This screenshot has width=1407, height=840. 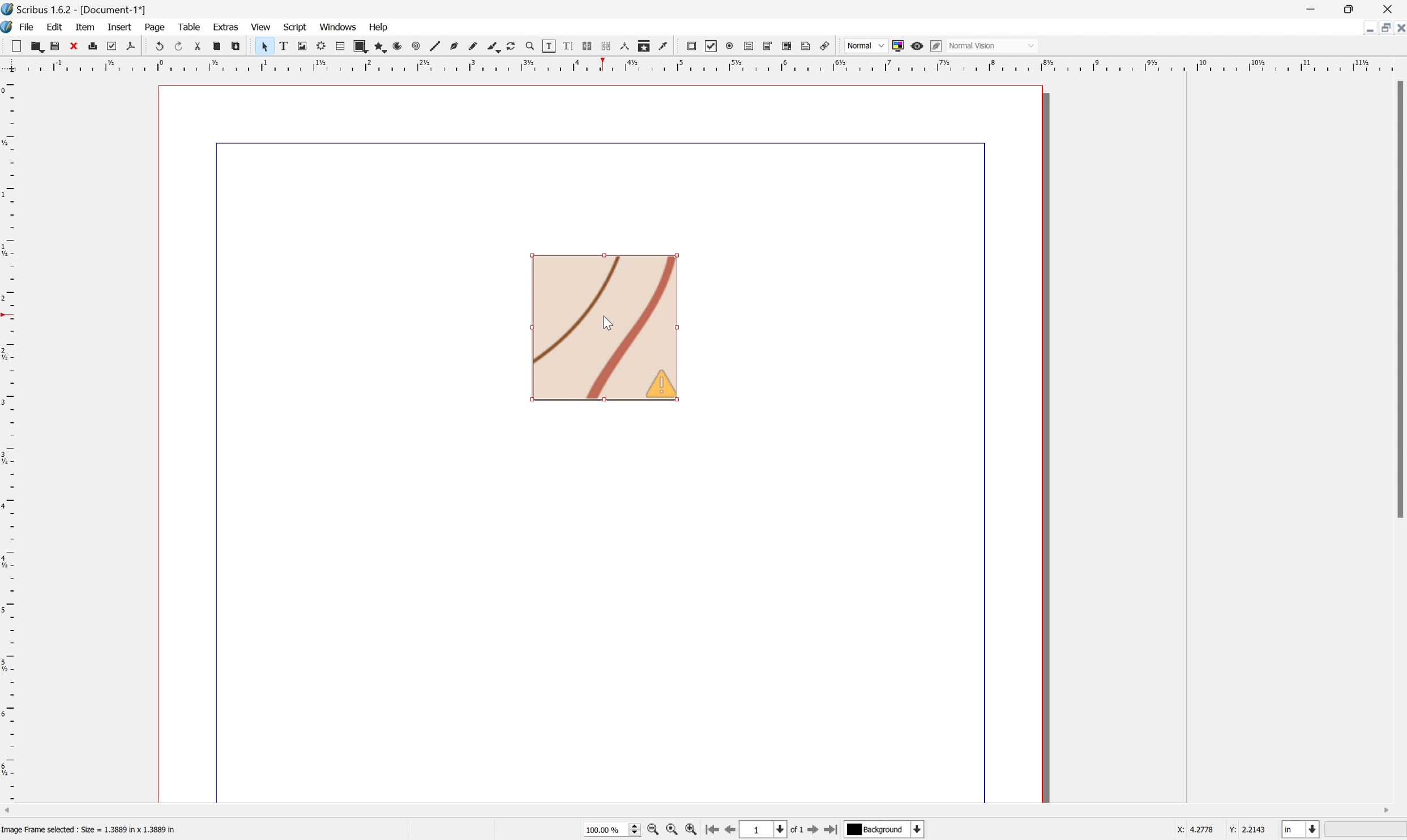 I want to click on Image Frame selected : Size = 1.3889 in x 1.3889 in, so click(x=89, y=830).